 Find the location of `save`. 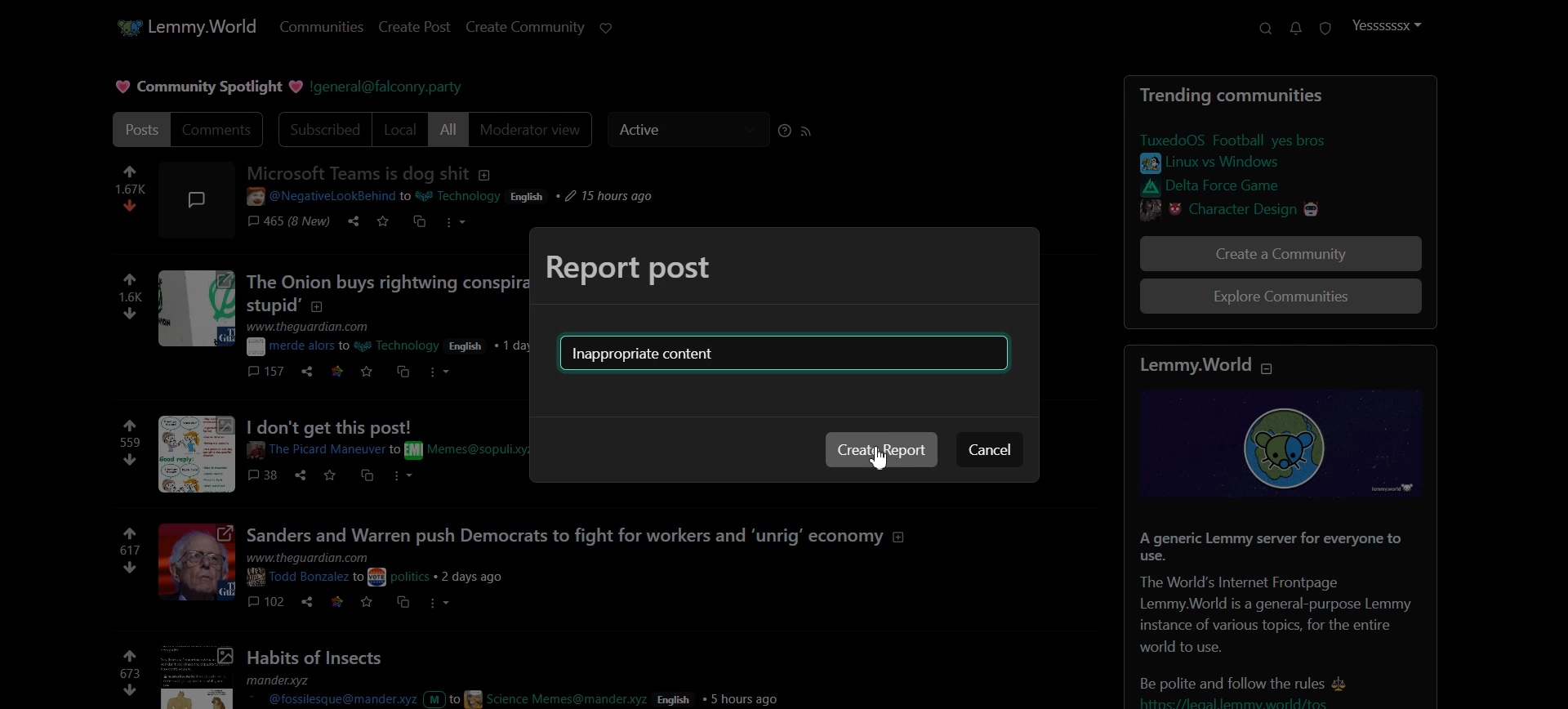

save is located at coordinates (367, 372).